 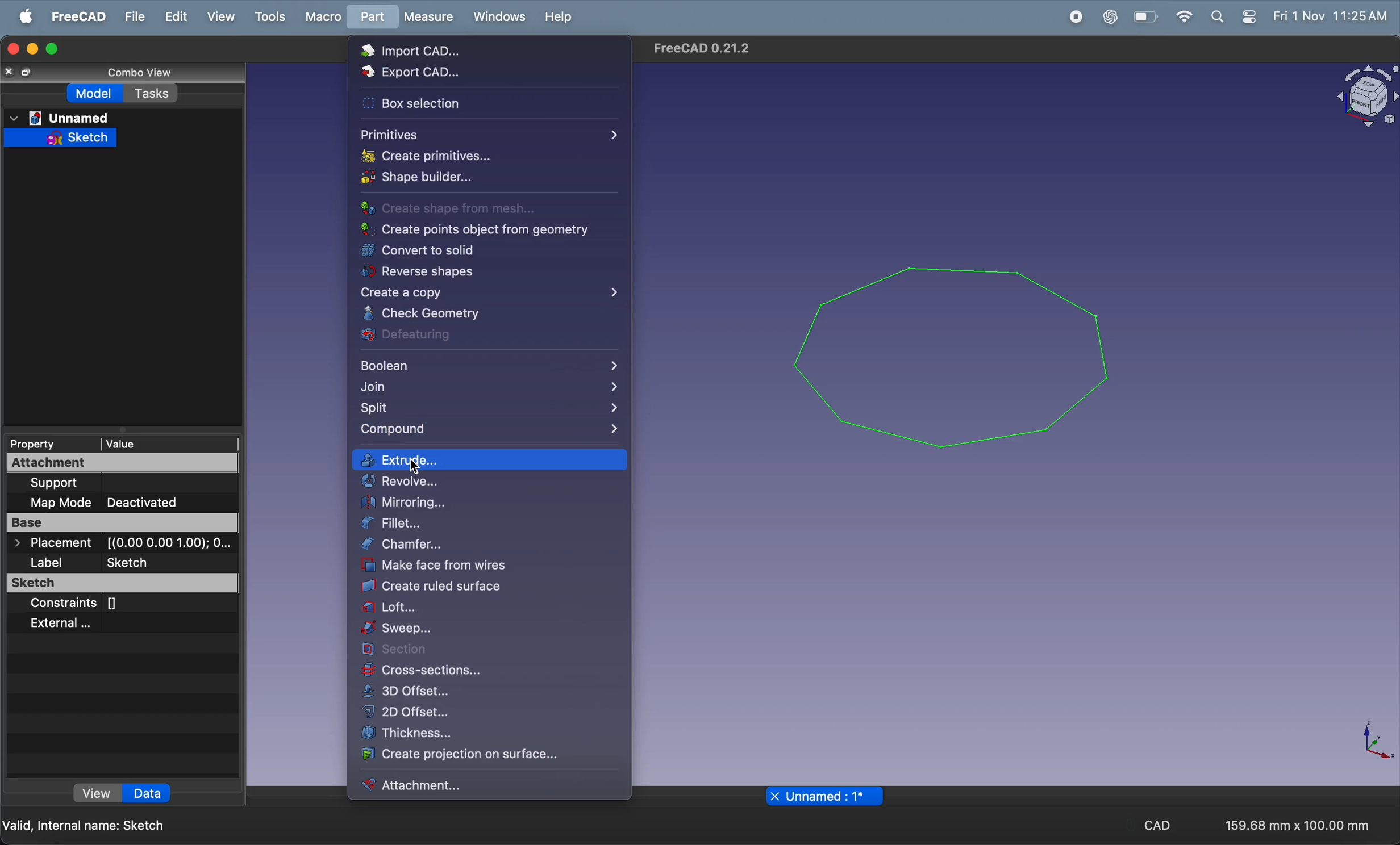 I want to click on chamfer, so click(x=468, y=547).